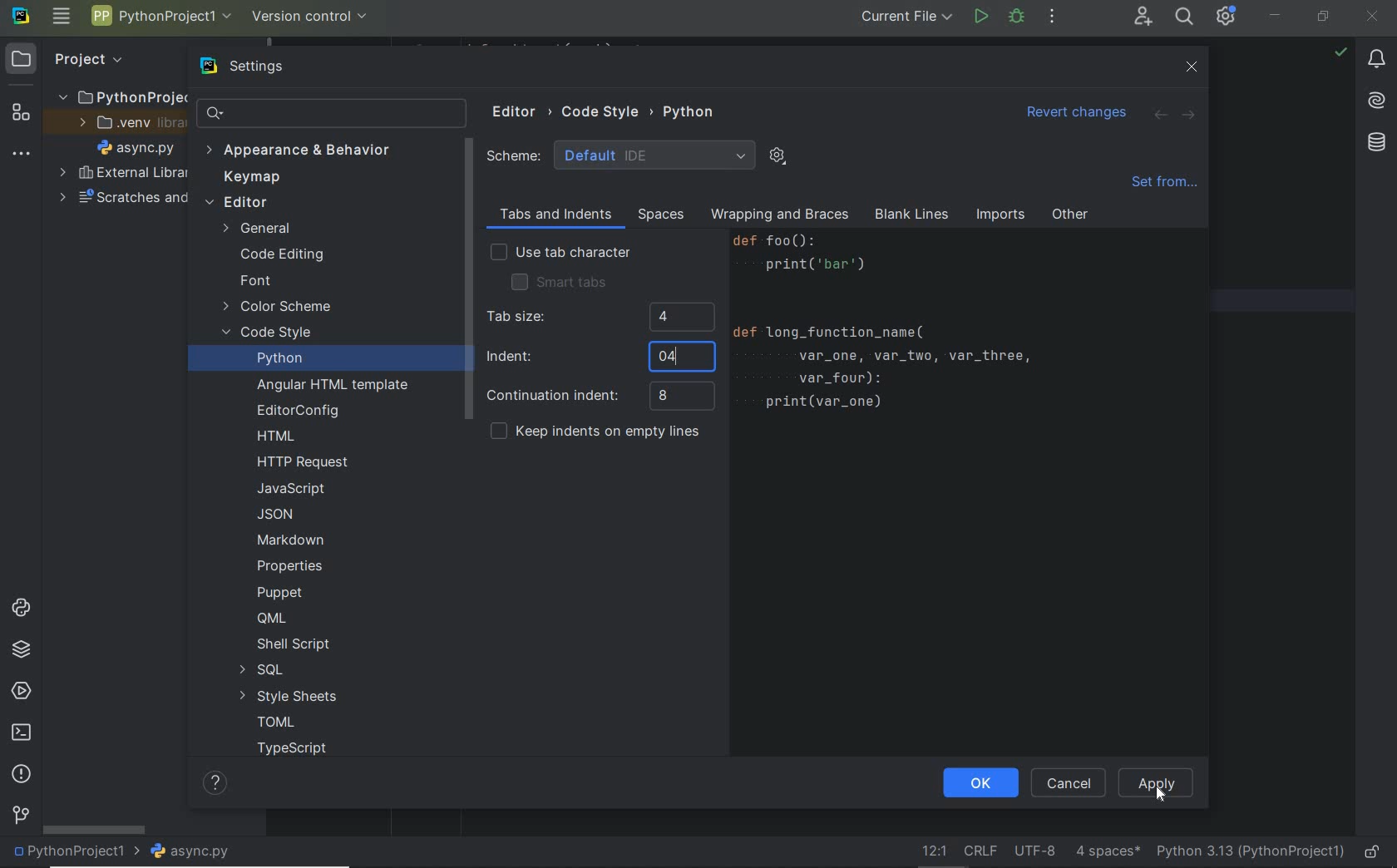 The height and width of the screenshot is (868, 1397). I want to click on TYPESCRIPT, so click(298, 751).